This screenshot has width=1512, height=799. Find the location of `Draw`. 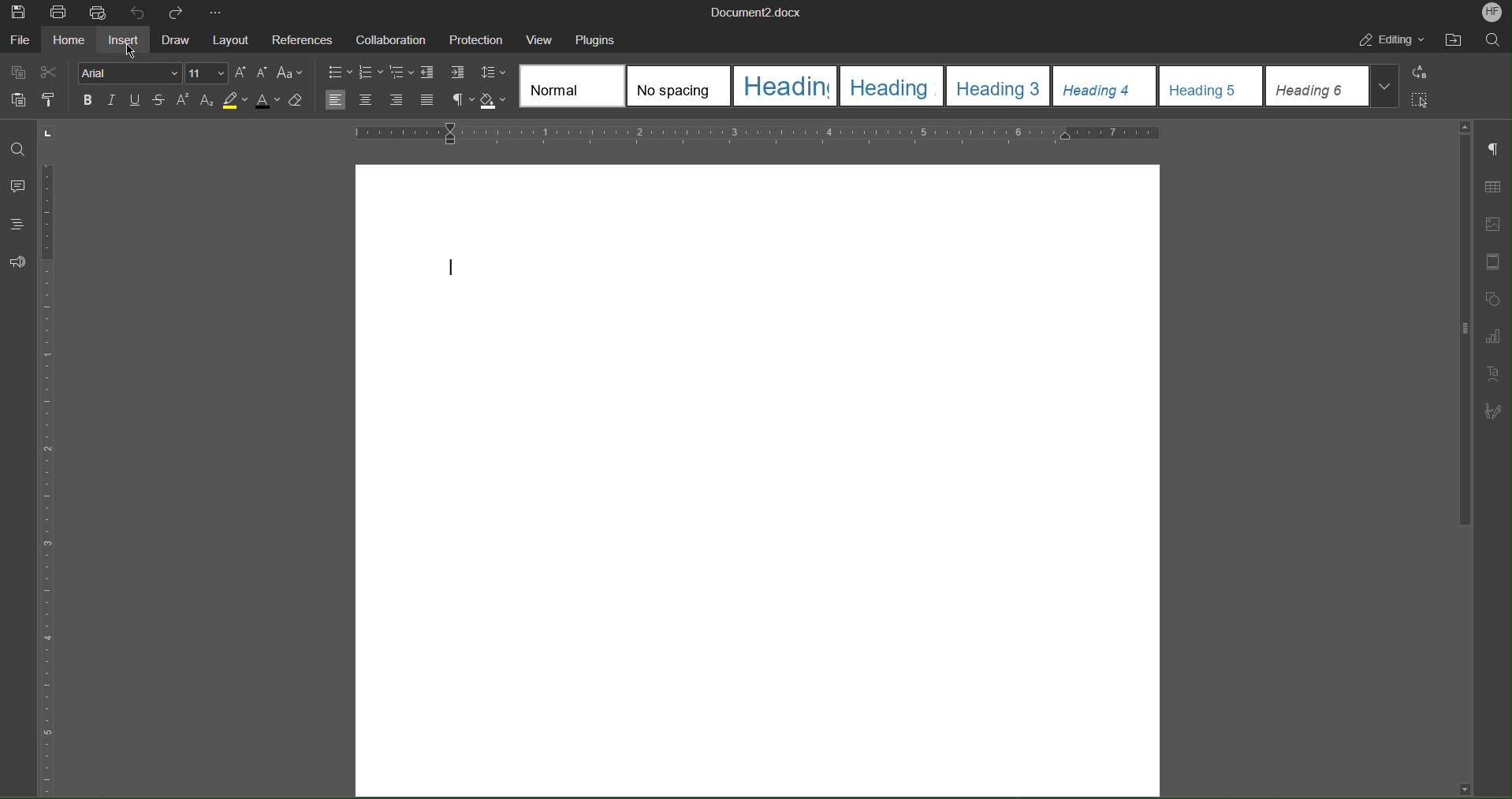

Draw is located at coordinates (174, 38).